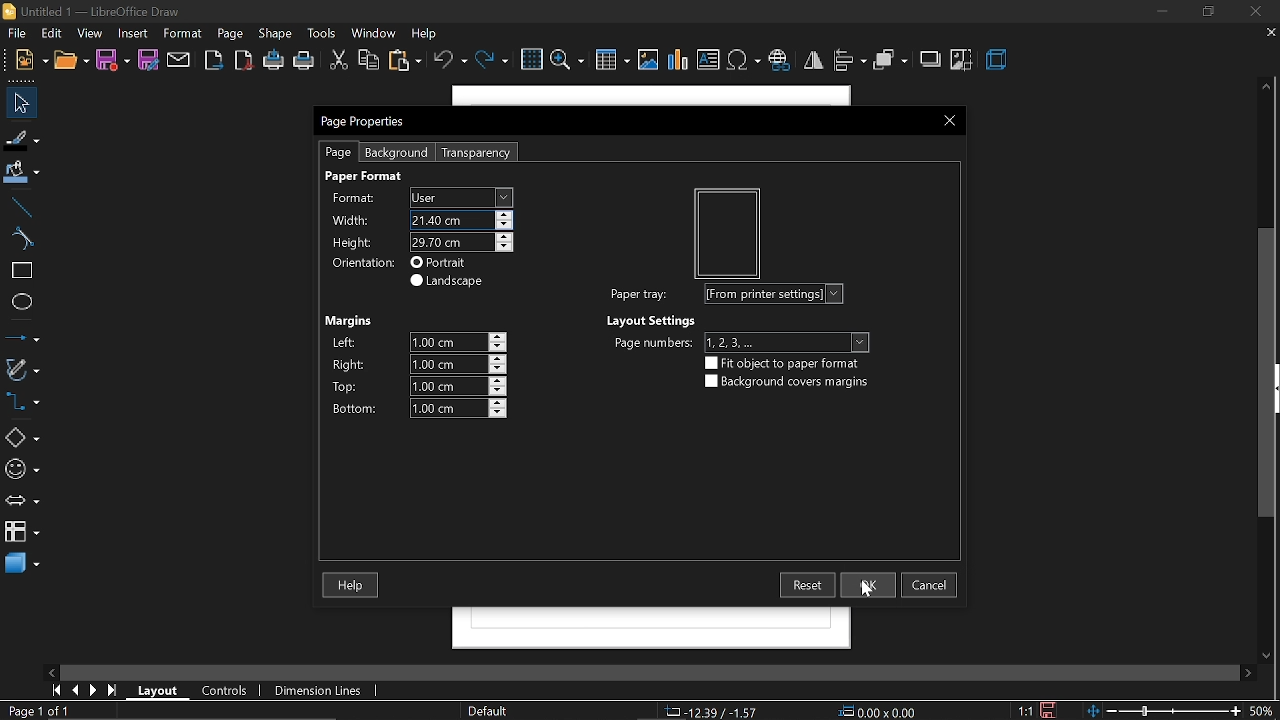 This screenshot has width=1280, height=720. I want to click on insert symbol, so click(744, 60).